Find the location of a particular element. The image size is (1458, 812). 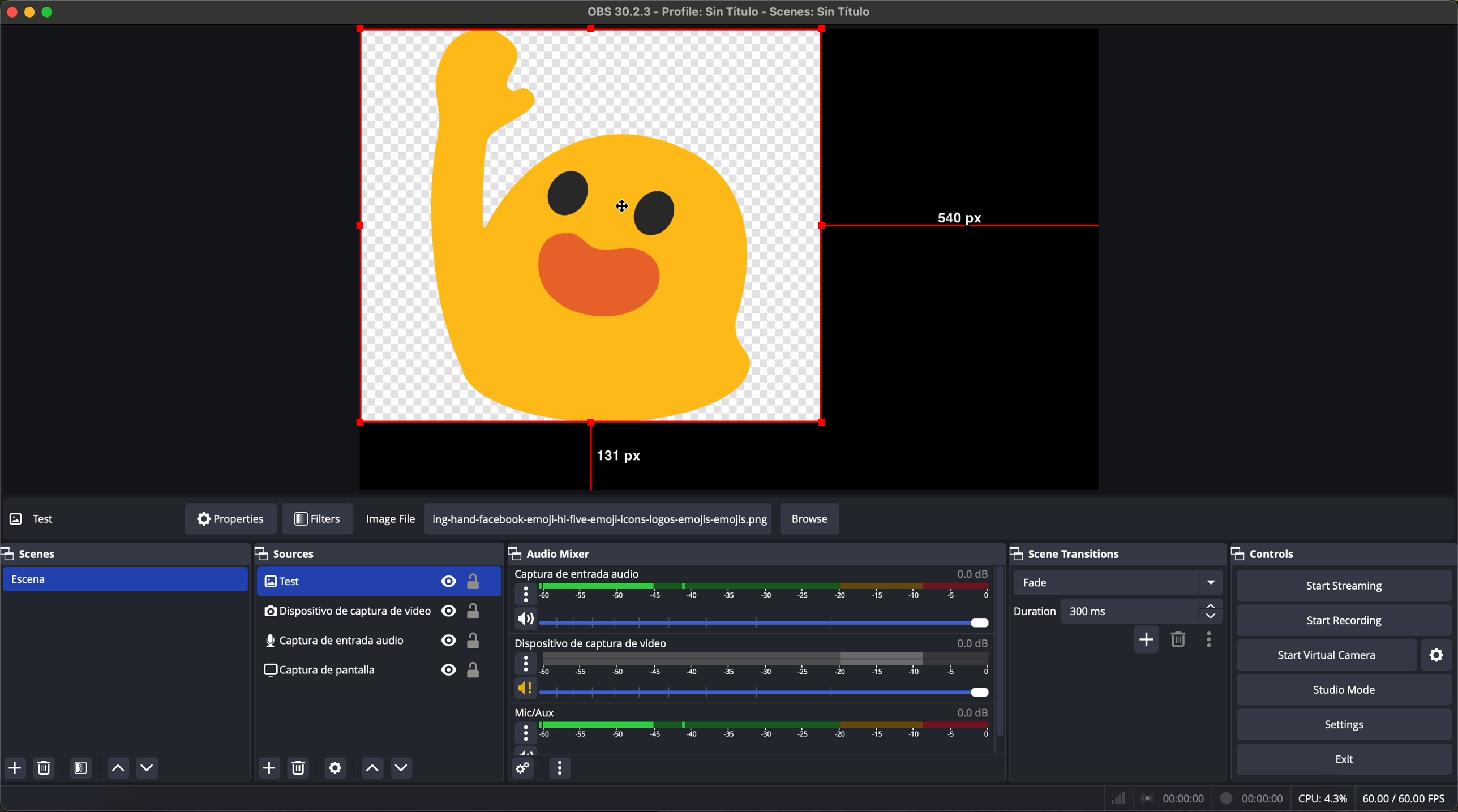

remove selected source is located at coordinates (301, 768).